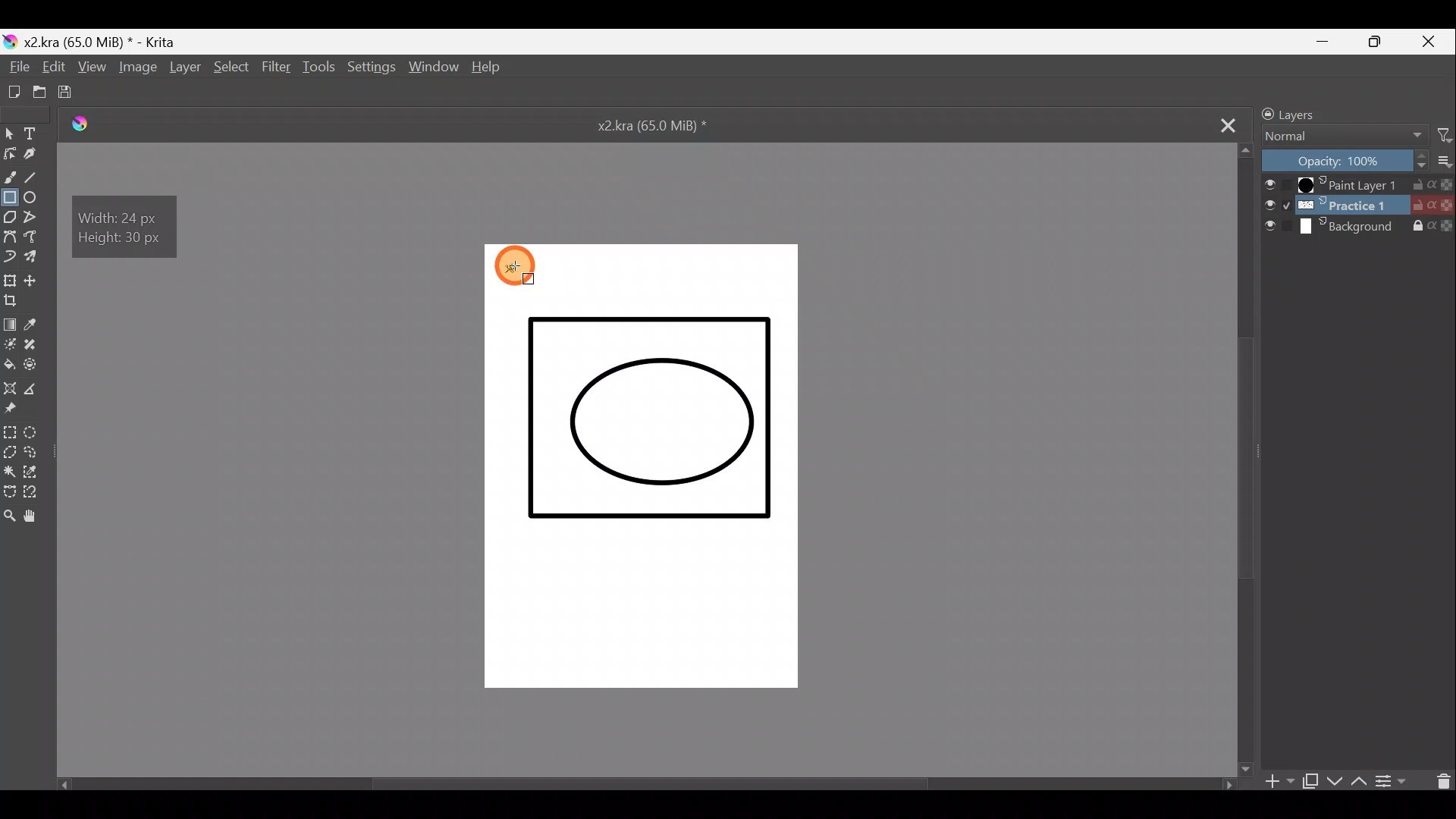 This screenshot has height=819, width=1456. What do you see at coordinates (17, 300) in the screenshot?
I see `Crop image to an area` at bounding box center [17, 300].